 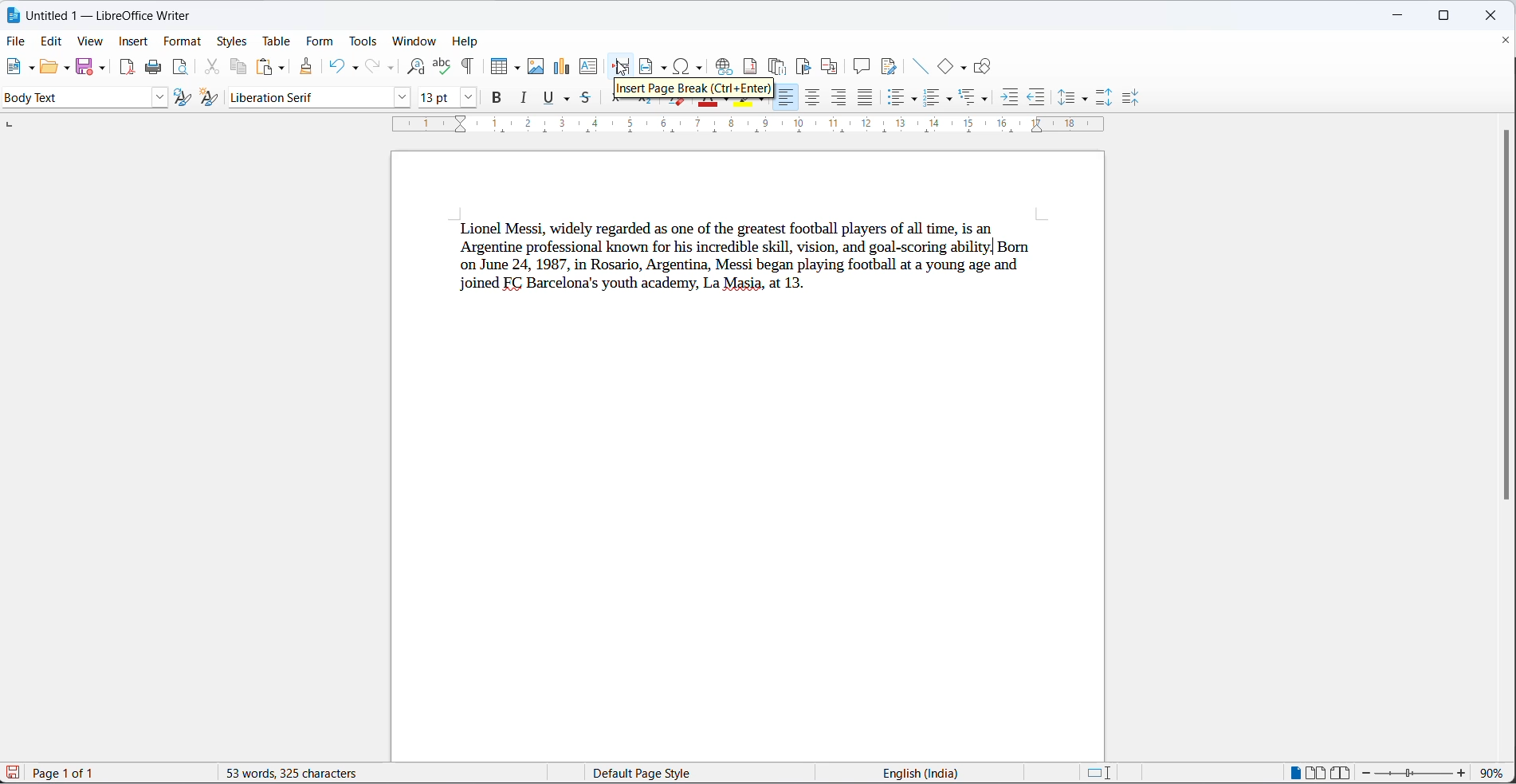 I want to click on tools, so click(x=363, y=42).